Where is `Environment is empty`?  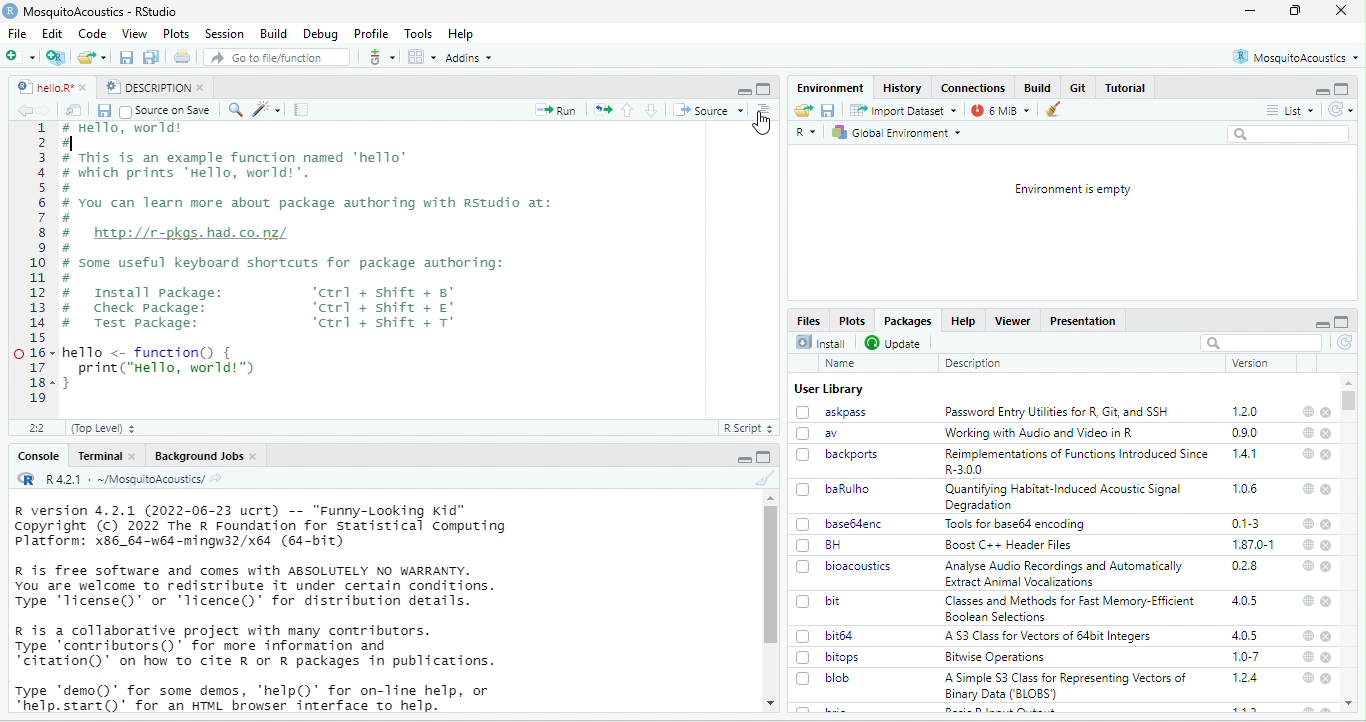 Environment is empty is located at coordinates (1072, 189).